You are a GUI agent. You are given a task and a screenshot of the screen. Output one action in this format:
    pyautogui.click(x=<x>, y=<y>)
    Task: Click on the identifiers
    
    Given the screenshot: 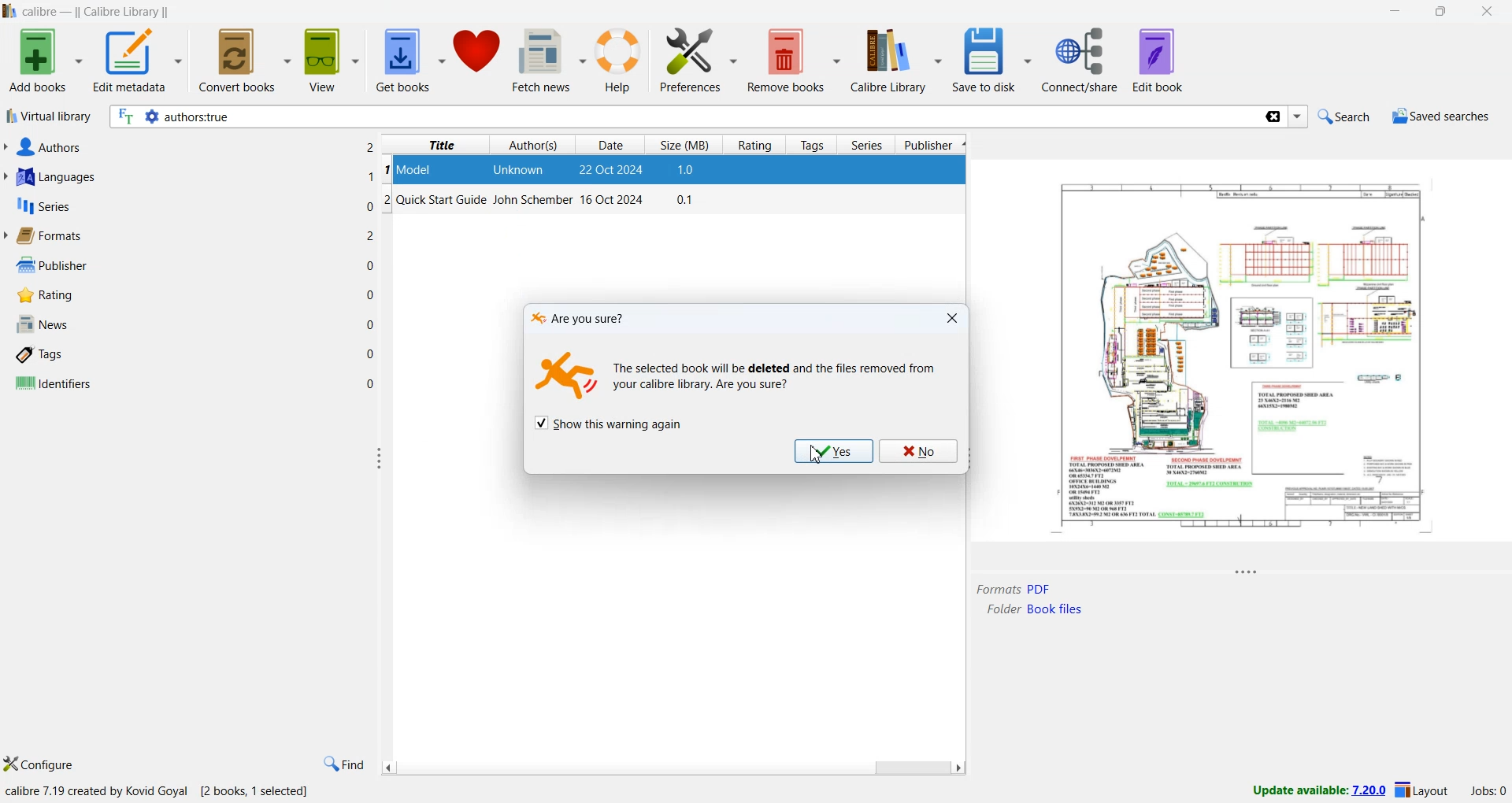 What is the action you would take?
    pyautogui.click(x=53, y=384)
    